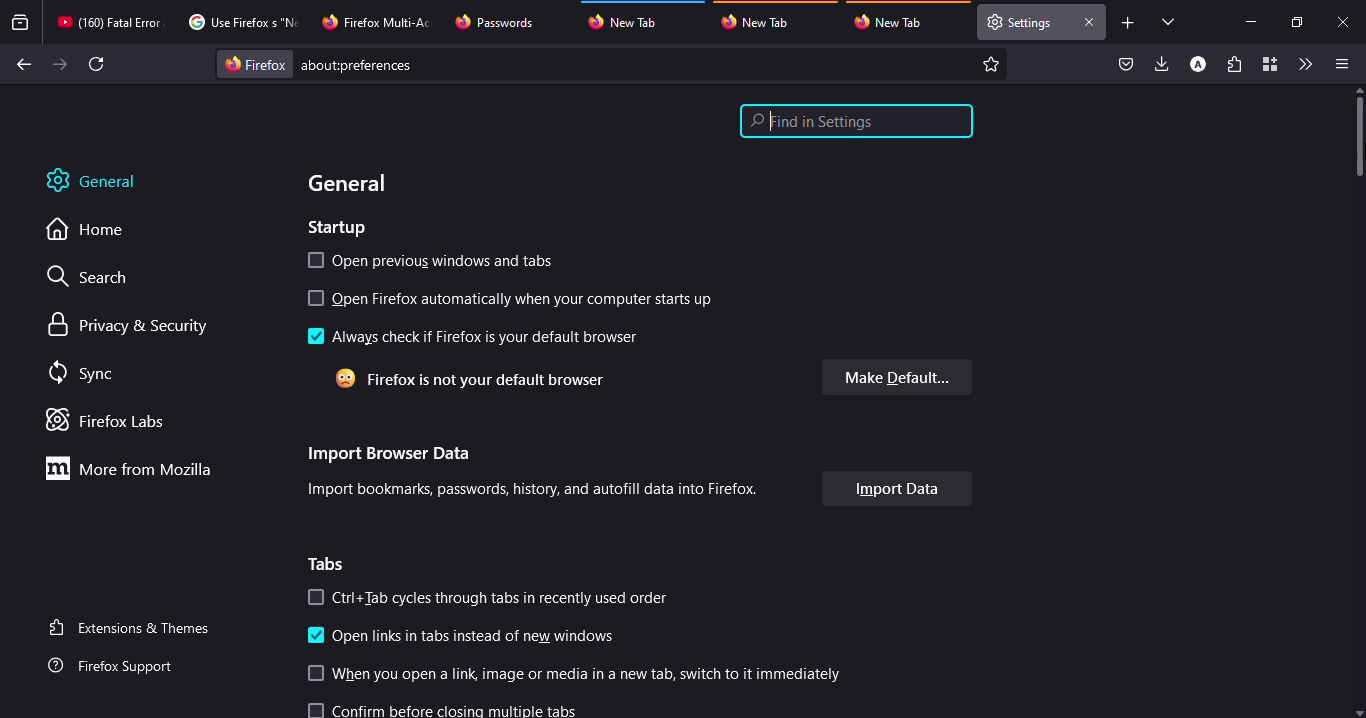  I want to click on container, so click(1268, 65).